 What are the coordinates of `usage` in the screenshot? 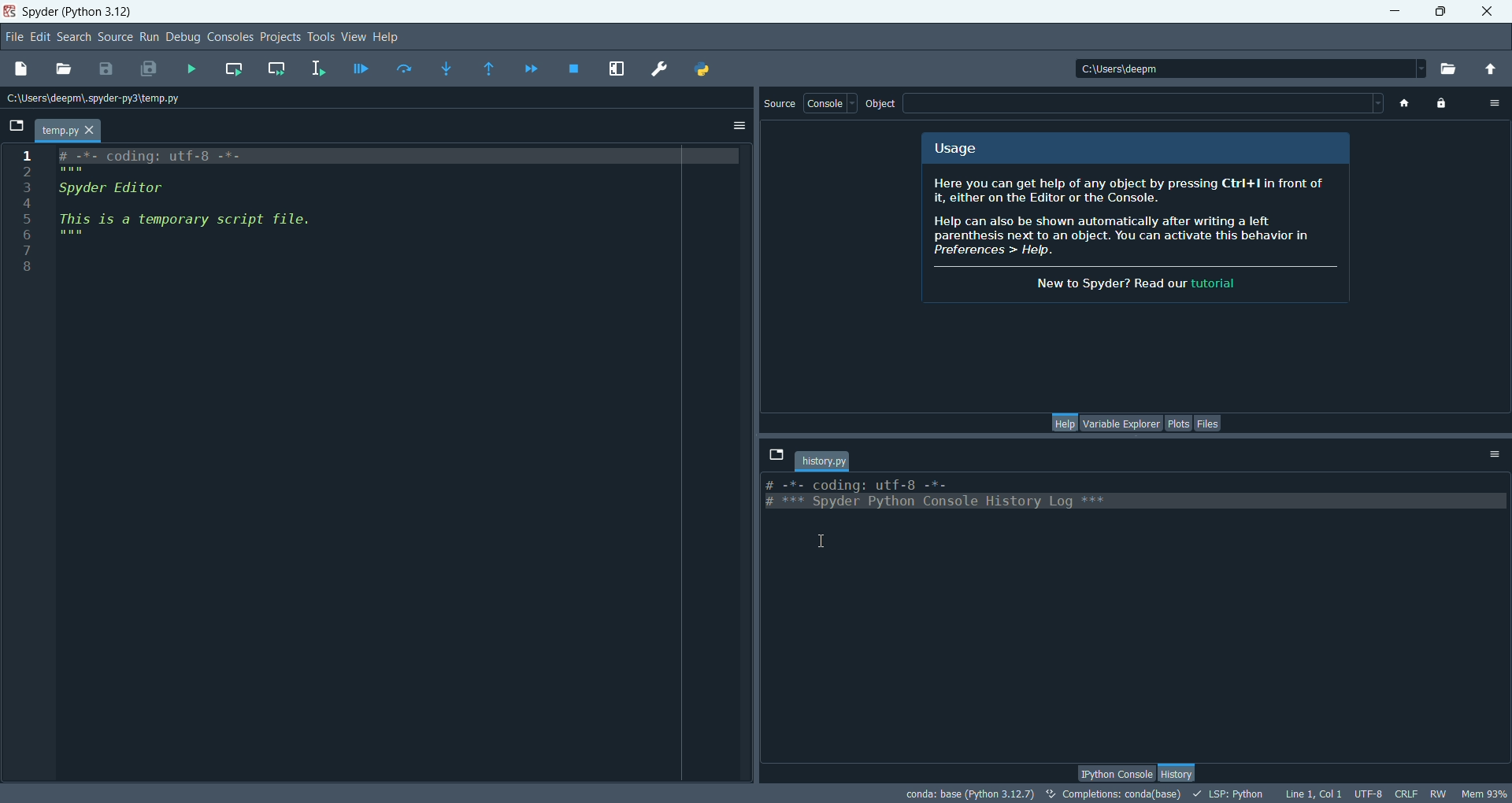 It's located at (960, 147).